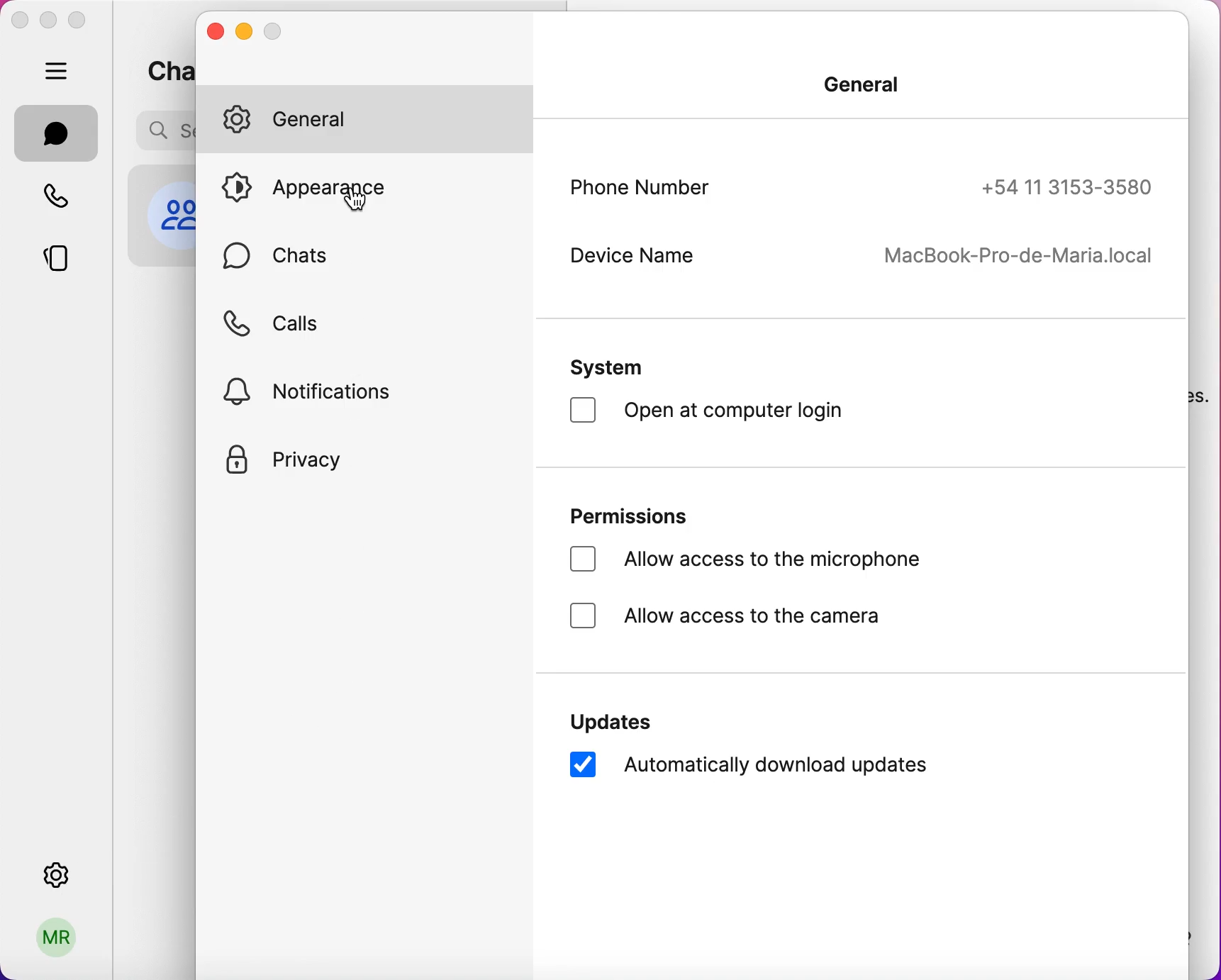 This screenshot has height=980, width=1221. I want to click on checkbox, so click(583, 559).